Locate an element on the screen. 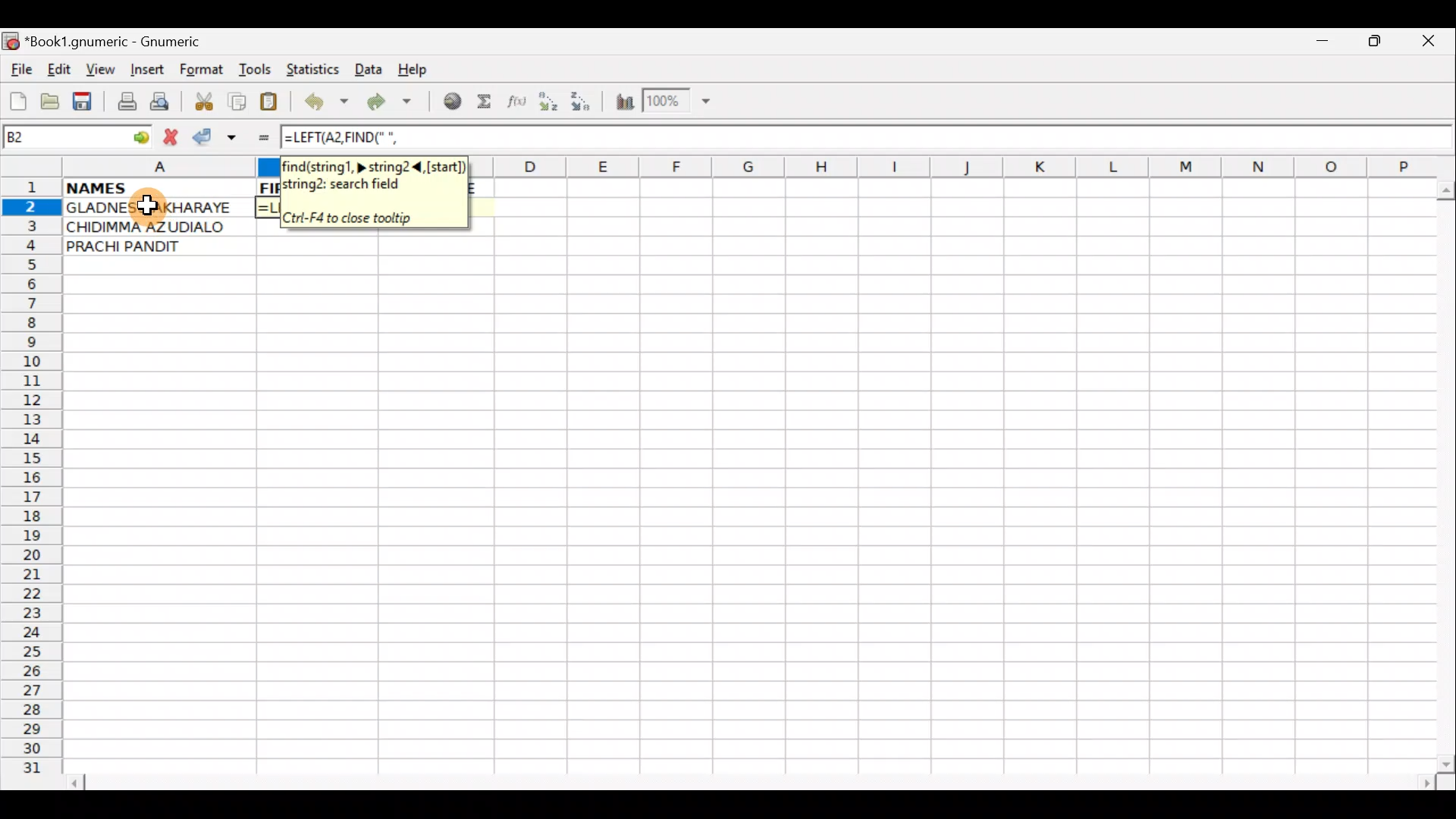  Format is located at coordinates (205, 71).